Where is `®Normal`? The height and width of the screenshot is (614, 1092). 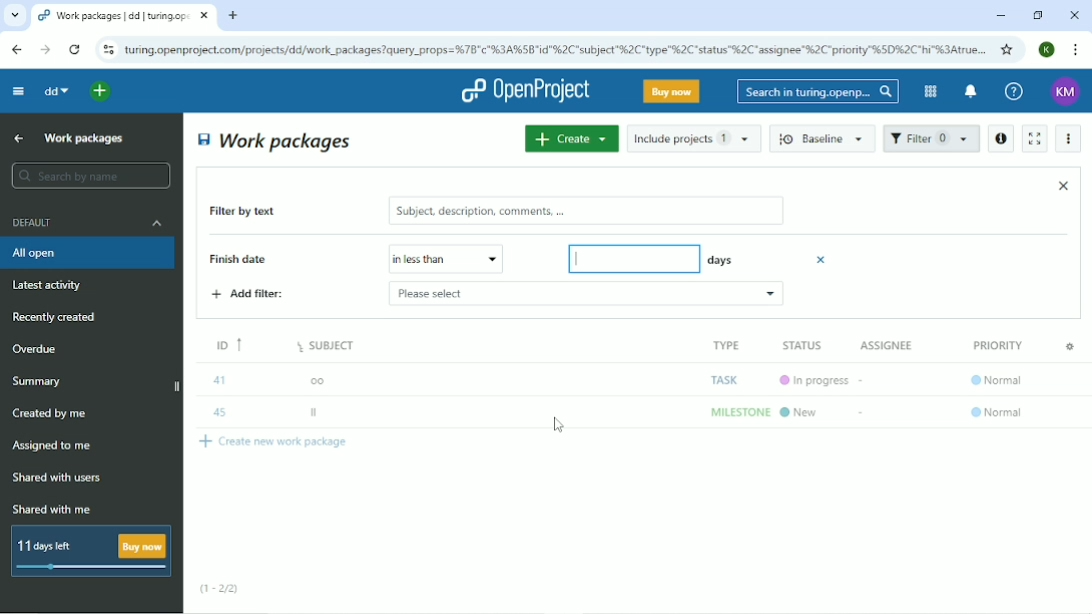 ®Normal is located at coordinates (996, 385).